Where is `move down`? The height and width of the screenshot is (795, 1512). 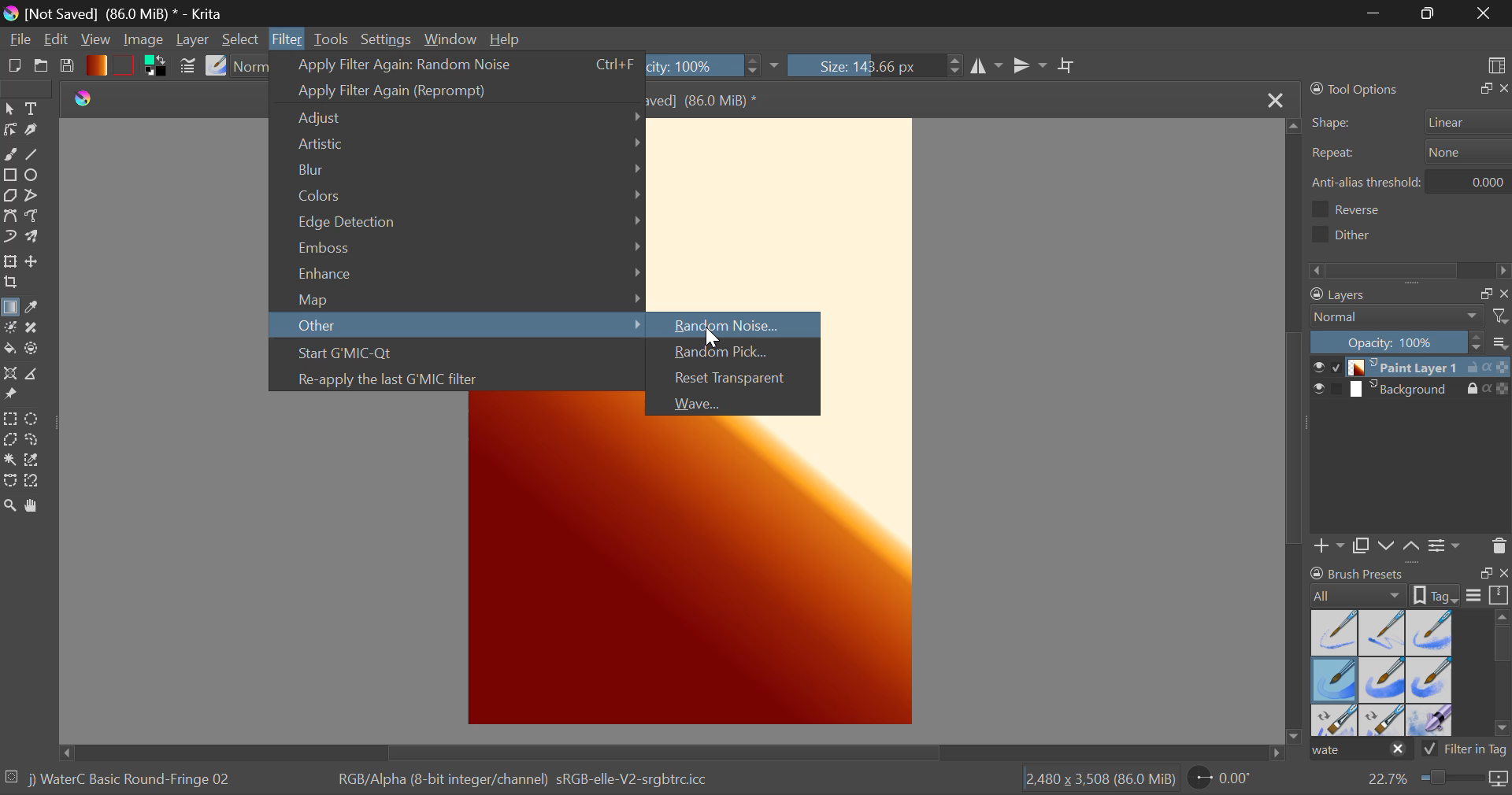 move down is located at coordinates (1298, 730).